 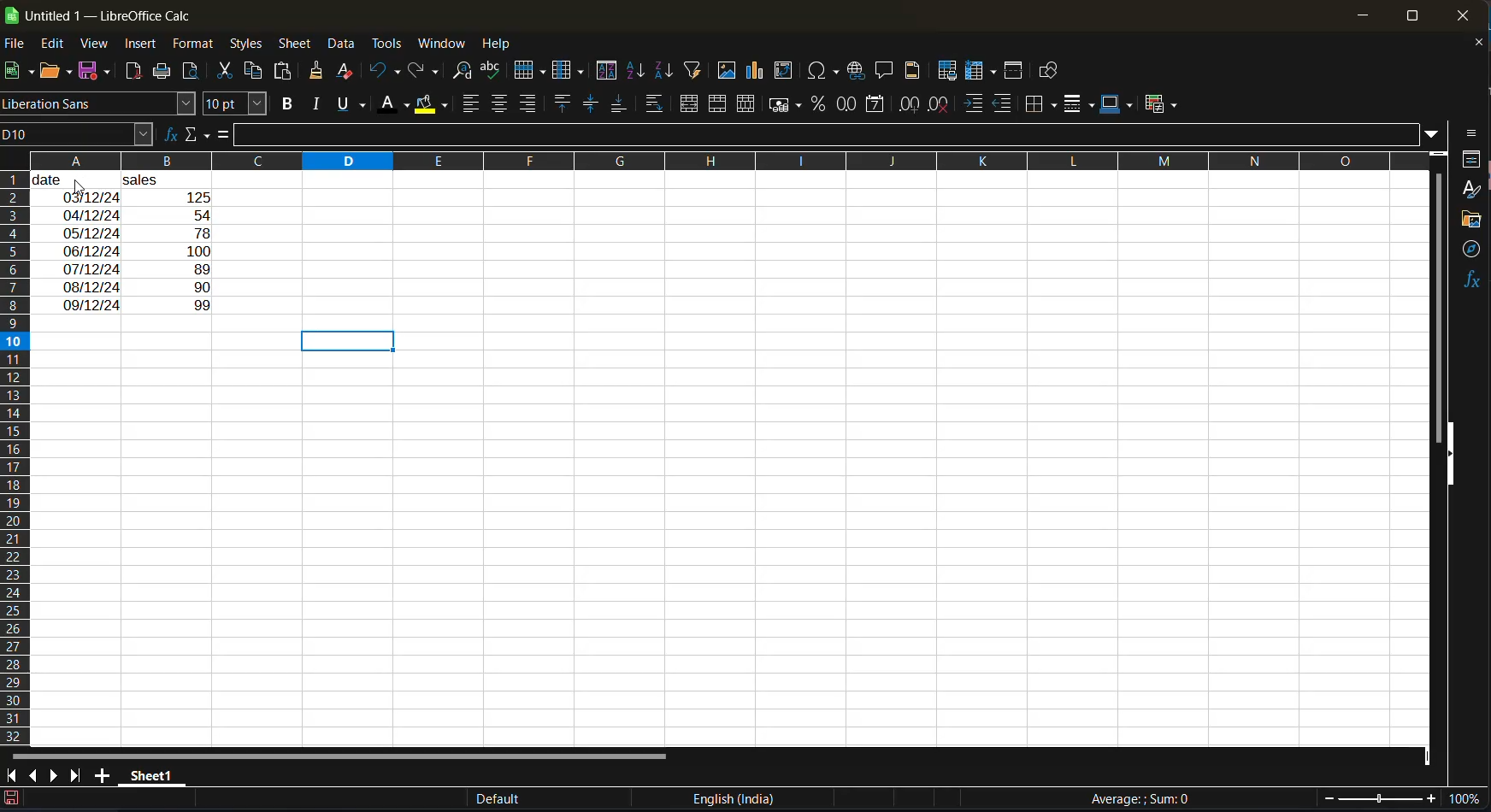 I want to click on file, so click(x=17, y=44).